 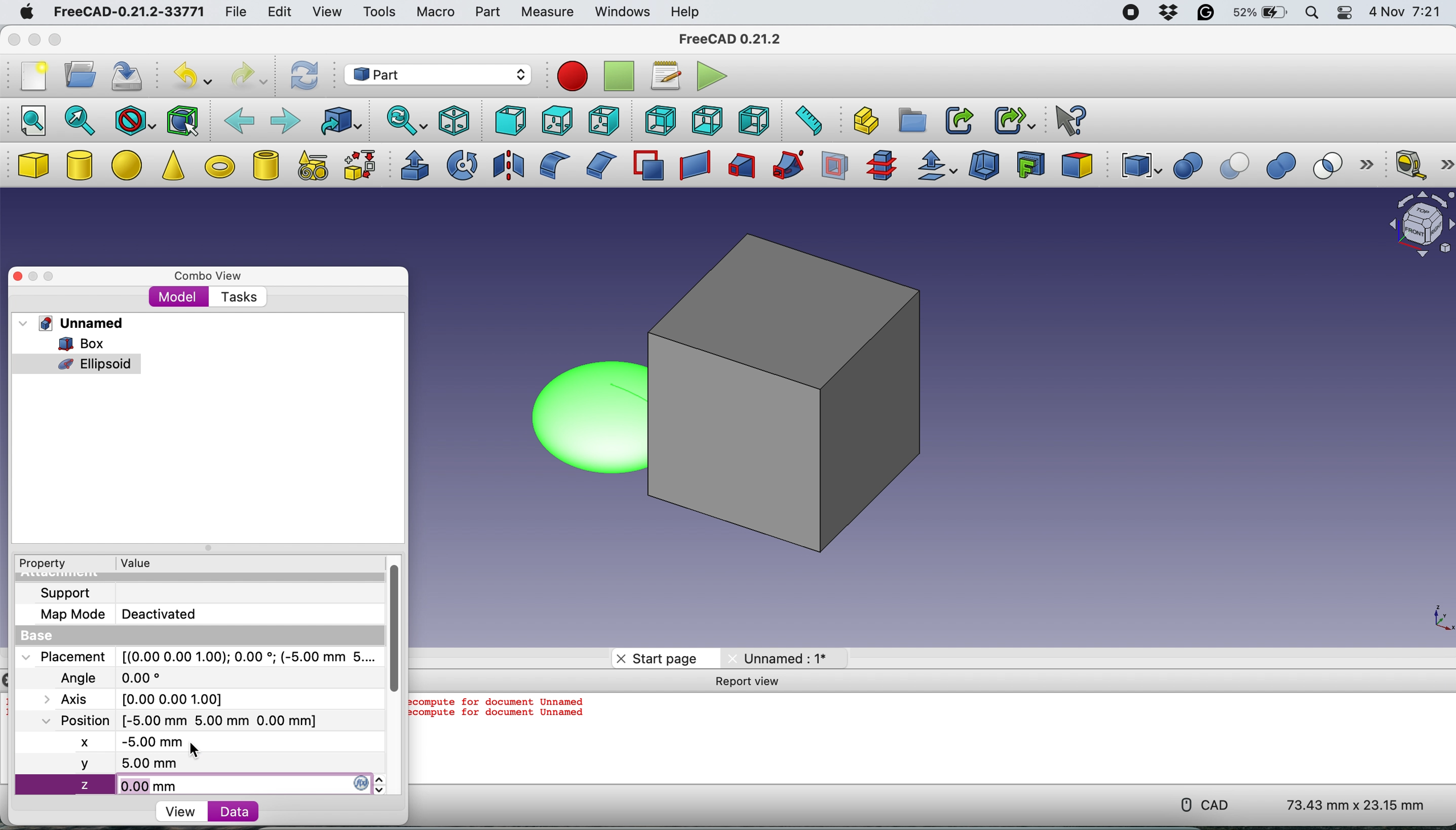 I want to click on FreeCAD-0.21.2-33771, so click(x=127, y=13).